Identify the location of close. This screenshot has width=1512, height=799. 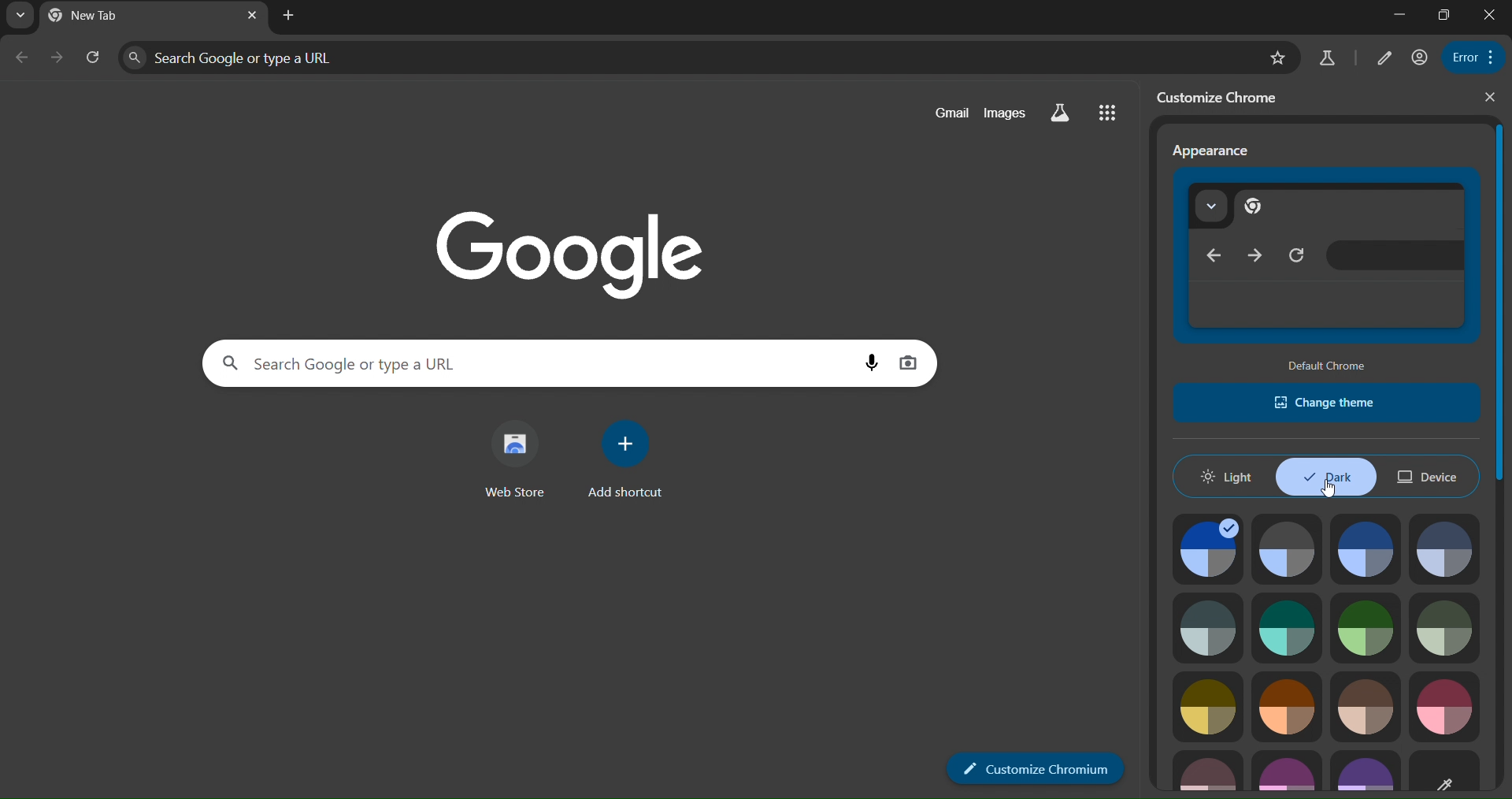
(1492, 96).